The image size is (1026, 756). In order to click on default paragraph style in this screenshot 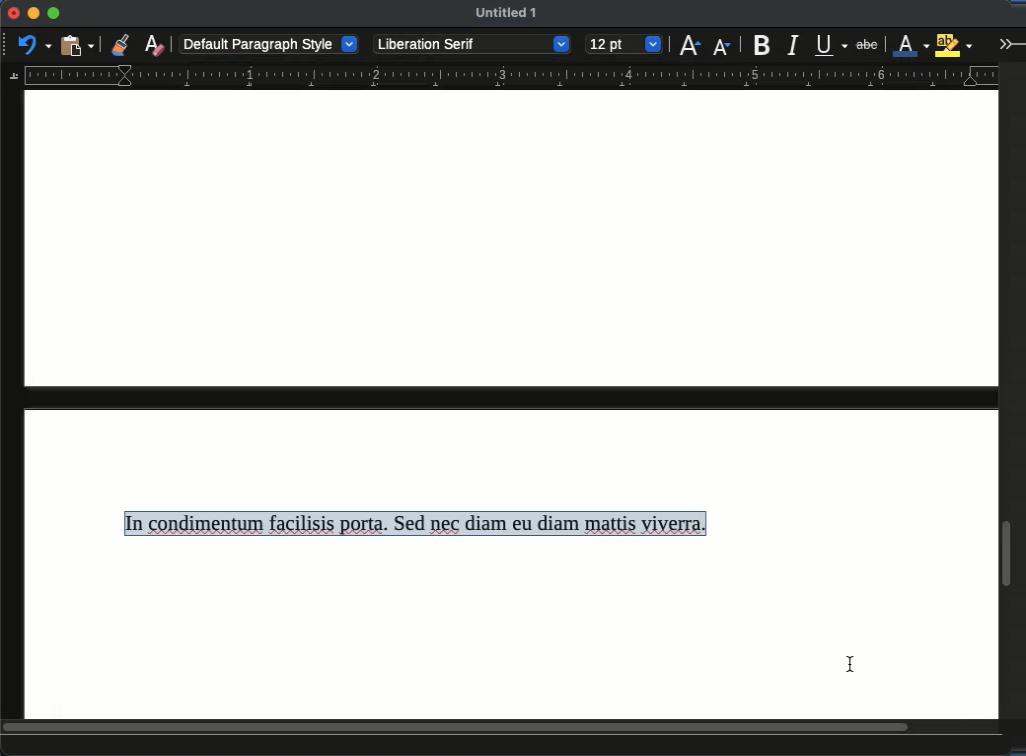, I will do `click(270, 43)`.